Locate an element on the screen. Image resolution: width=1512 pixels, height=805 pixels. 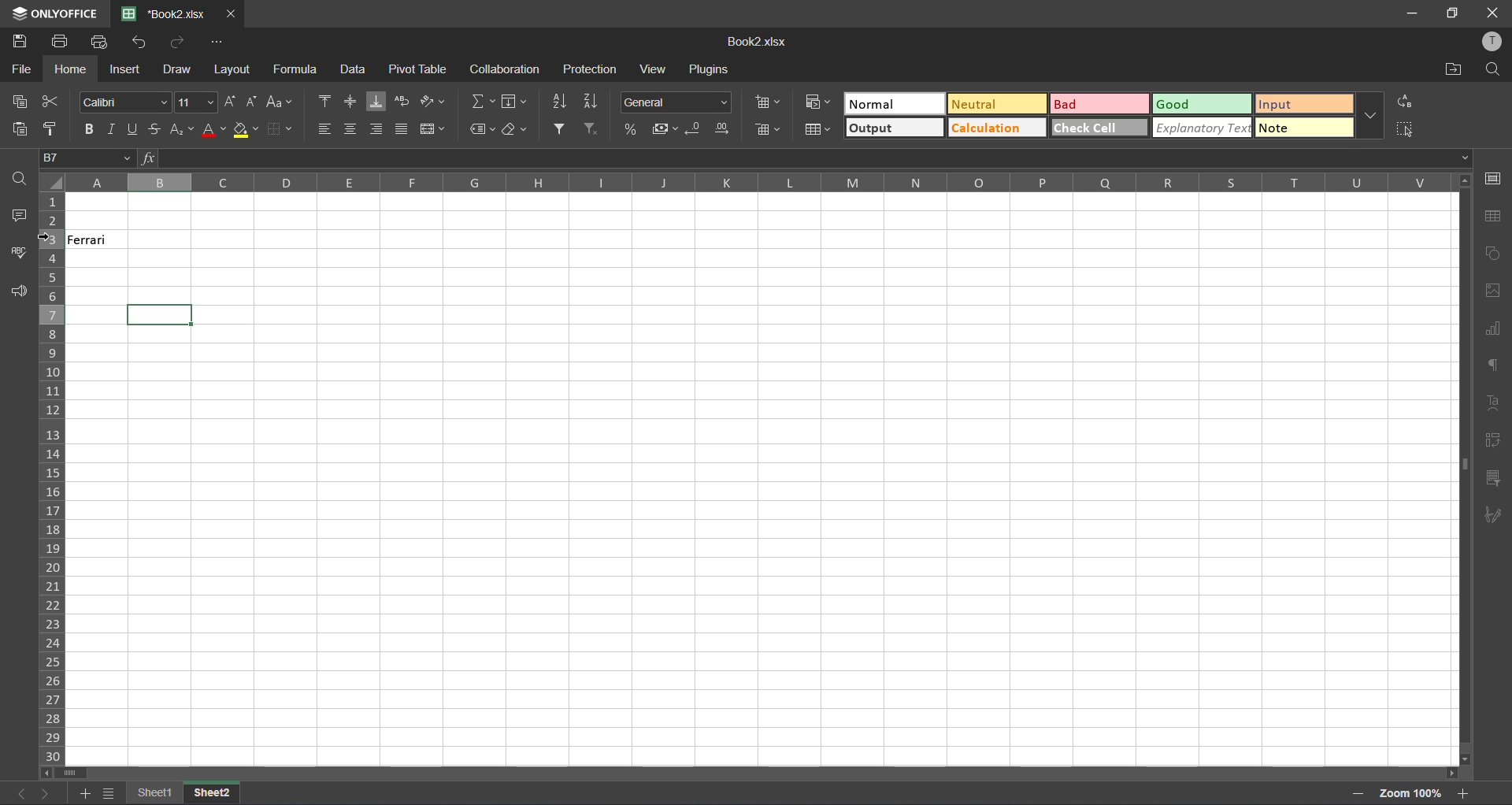
minimize is located at coordinates (1414, 14).